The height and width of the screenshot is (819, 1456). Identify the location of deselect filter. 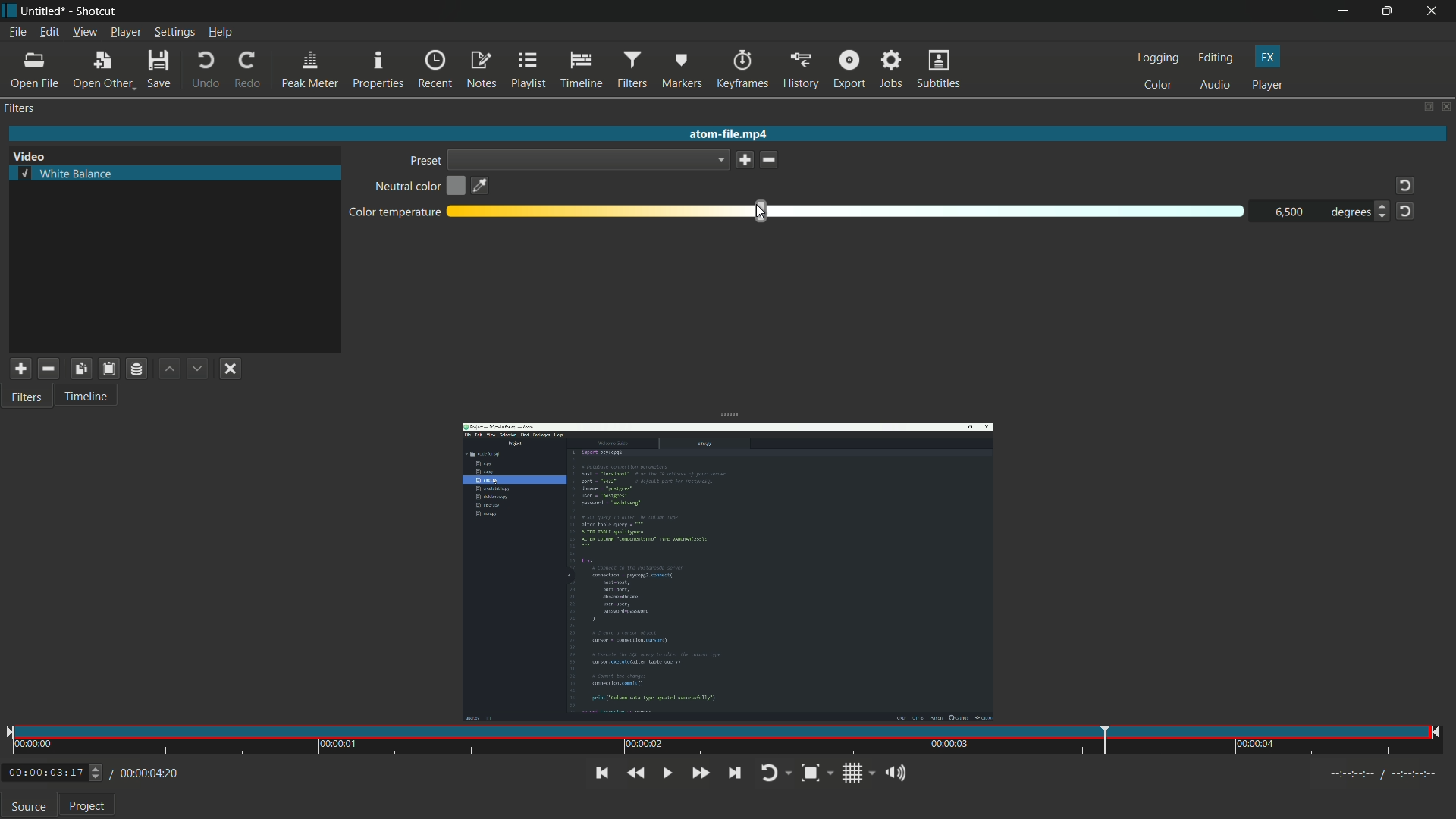
(231, 369).